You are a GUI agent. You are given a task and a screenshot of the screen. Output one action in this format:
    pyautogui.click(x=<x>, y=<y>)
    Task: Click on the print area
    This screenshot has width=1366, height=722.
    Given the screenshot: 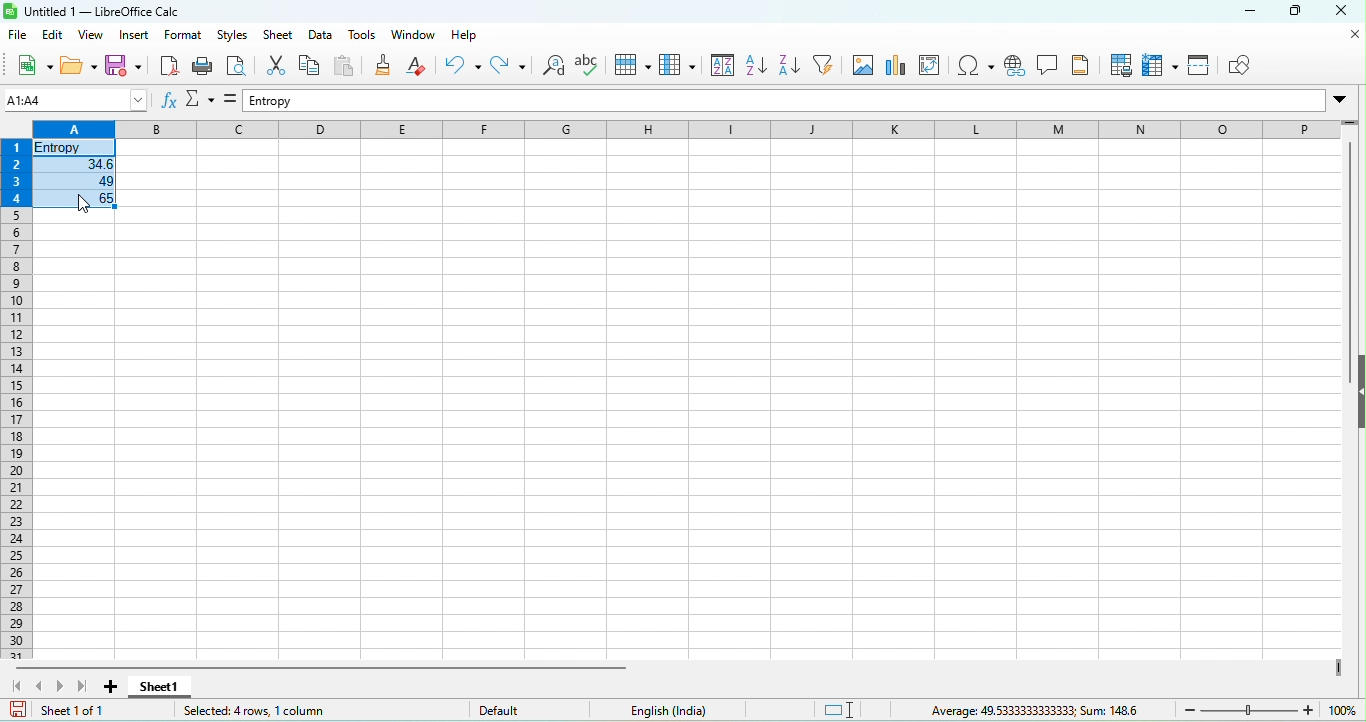 What is the action you would take?
    pyautogui.click(x=1121, y=69)
    